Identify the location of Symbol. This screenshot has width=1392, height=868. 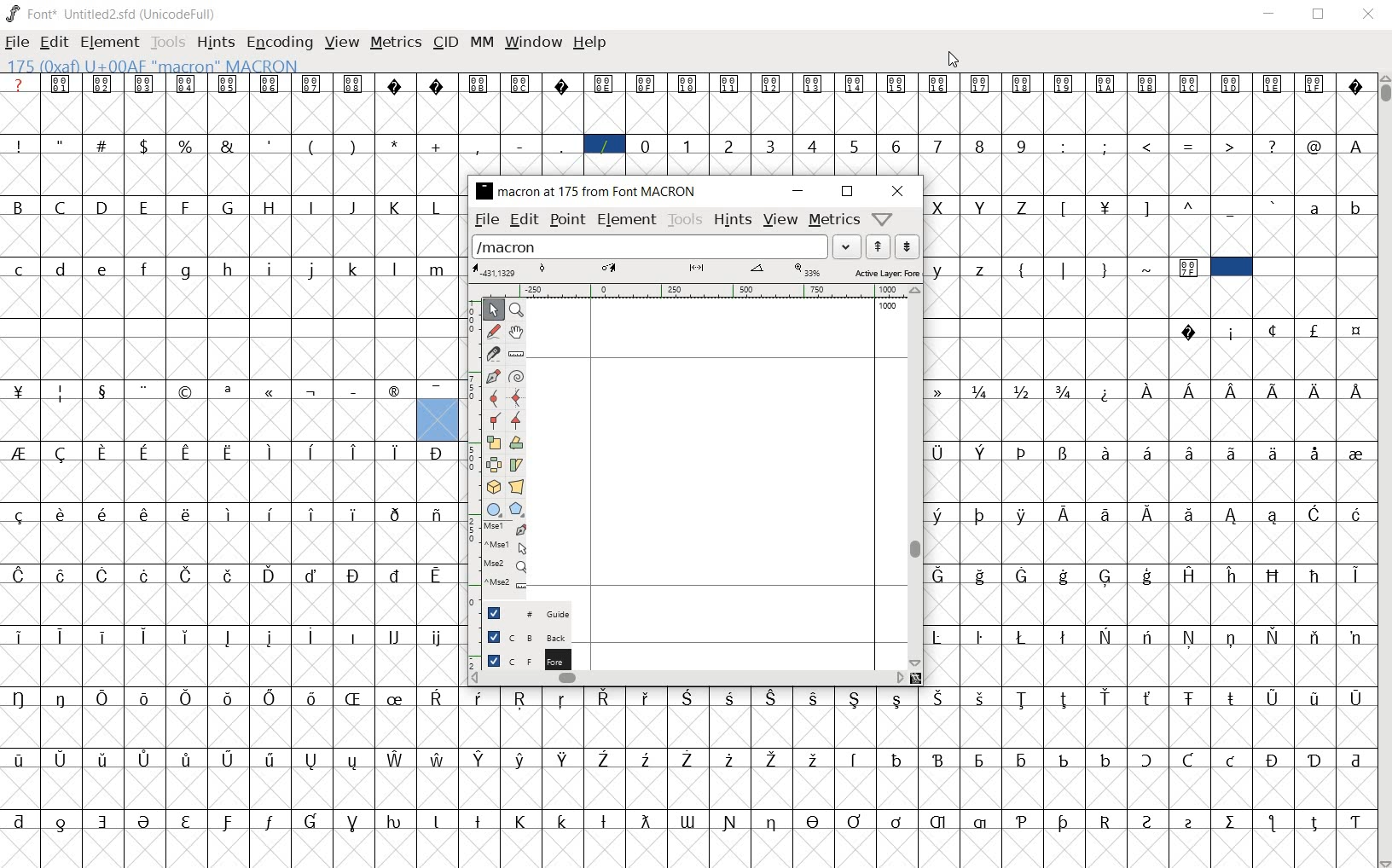
(856, 757).